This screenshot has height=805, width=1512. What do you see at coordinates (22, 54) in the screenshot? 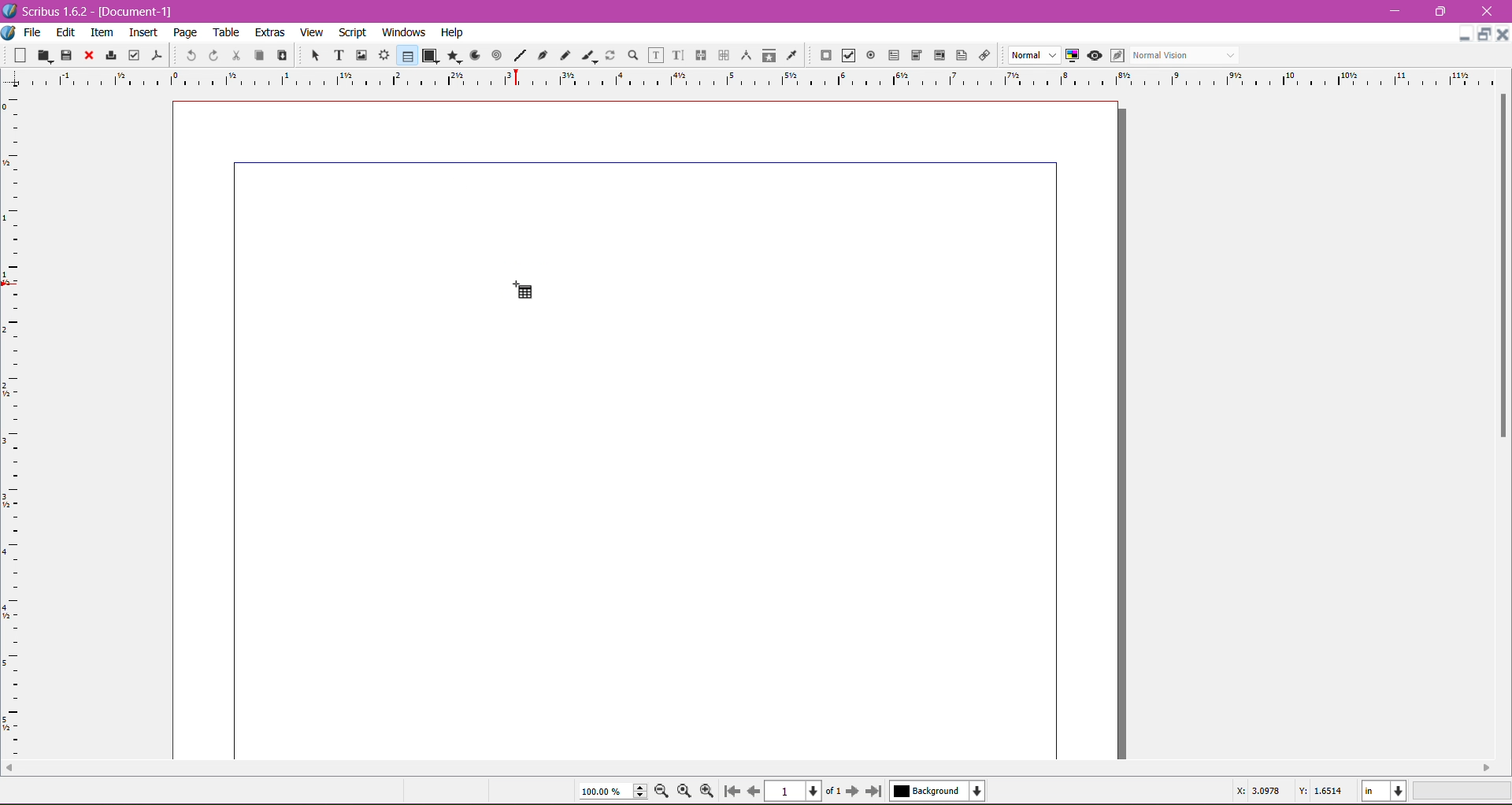
I see `New` at bounding box center [22, 54].